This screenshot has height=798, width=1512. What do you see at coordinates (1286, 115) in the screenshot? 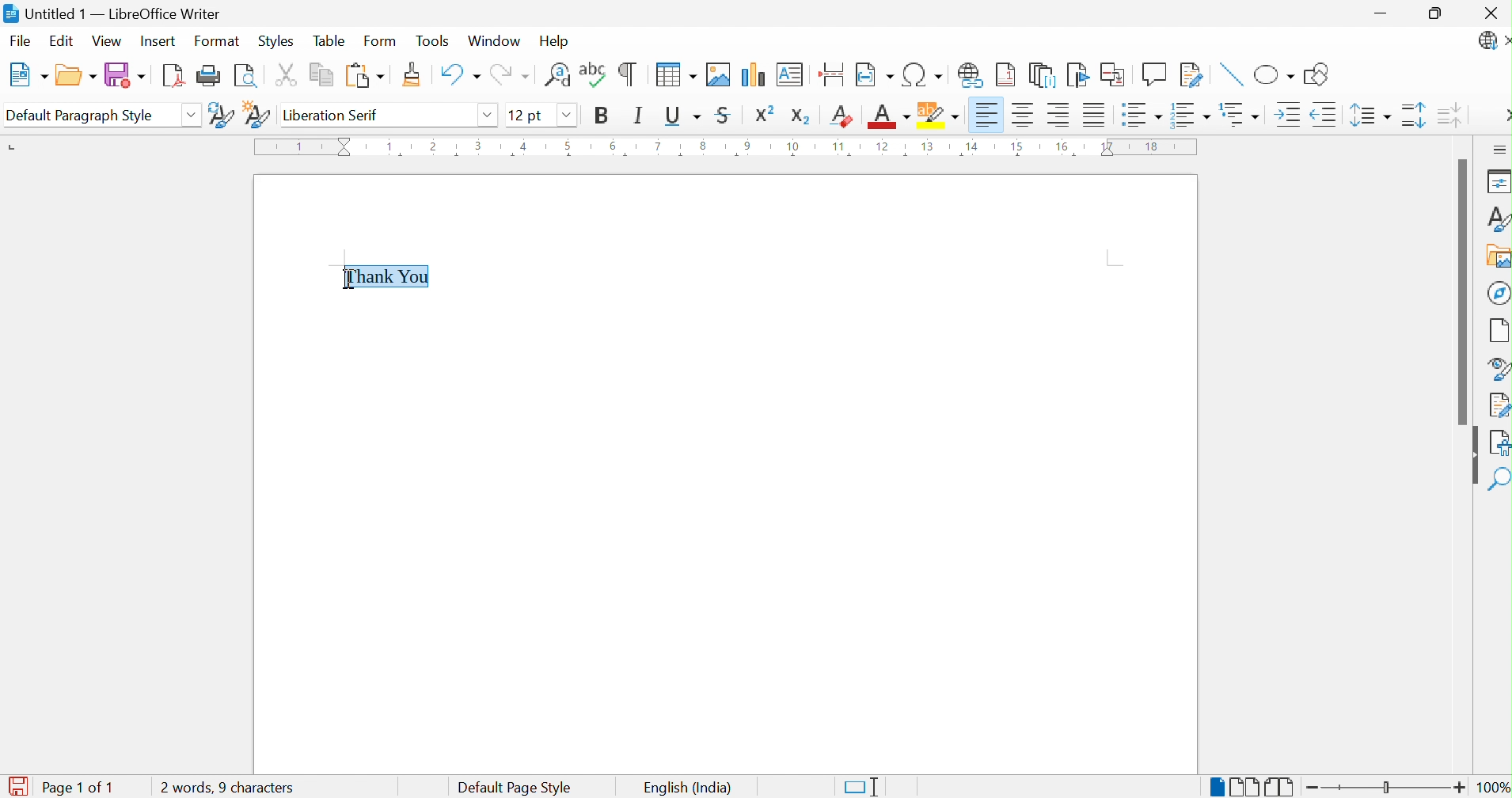
I see `Increase Indent` at bounding box center [1286, 115].